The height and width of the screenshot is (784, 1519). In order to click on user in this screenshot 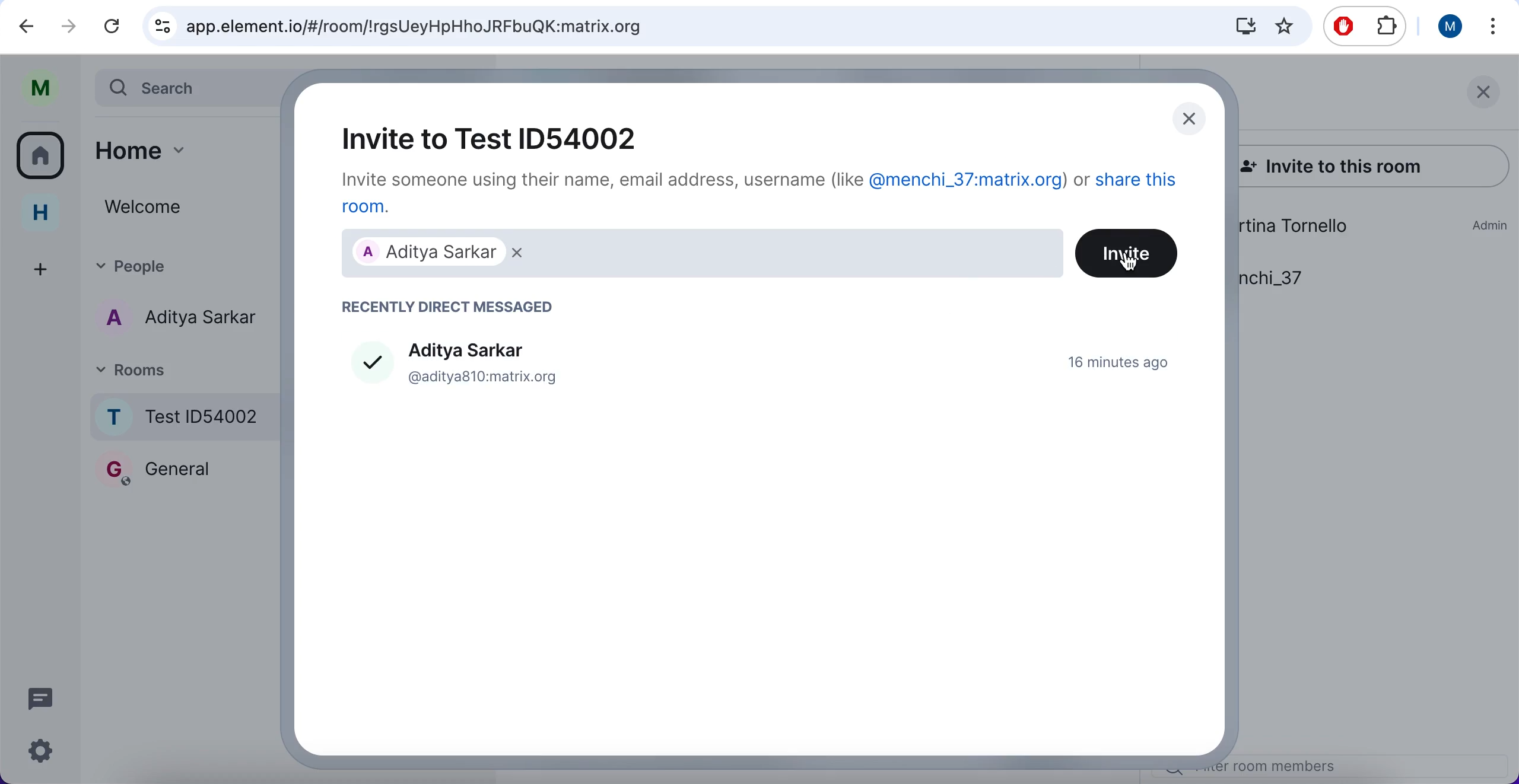, I will do `click(1451, 27)`.